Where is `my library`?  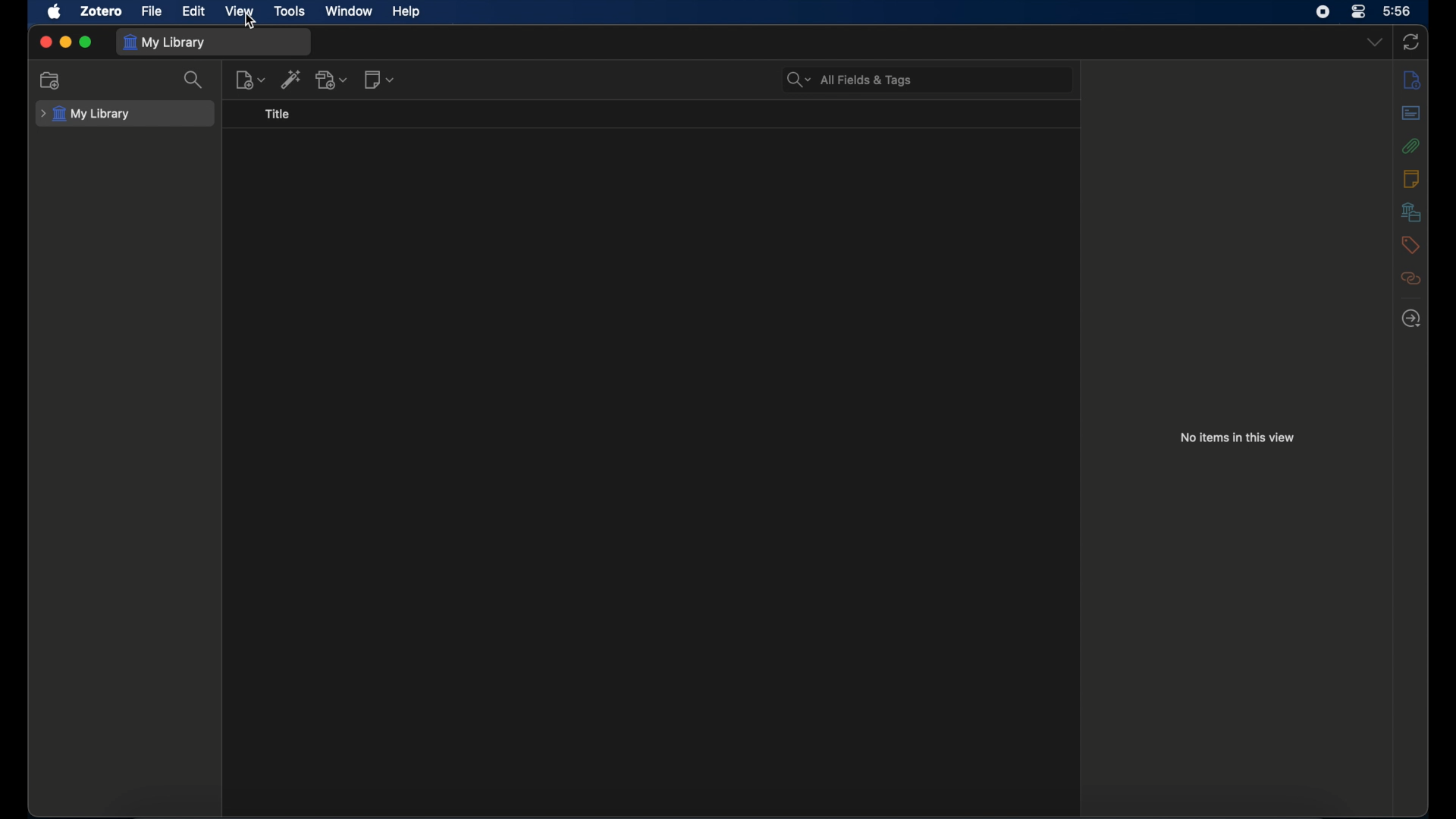 my library is located at coordinates (167, 42).